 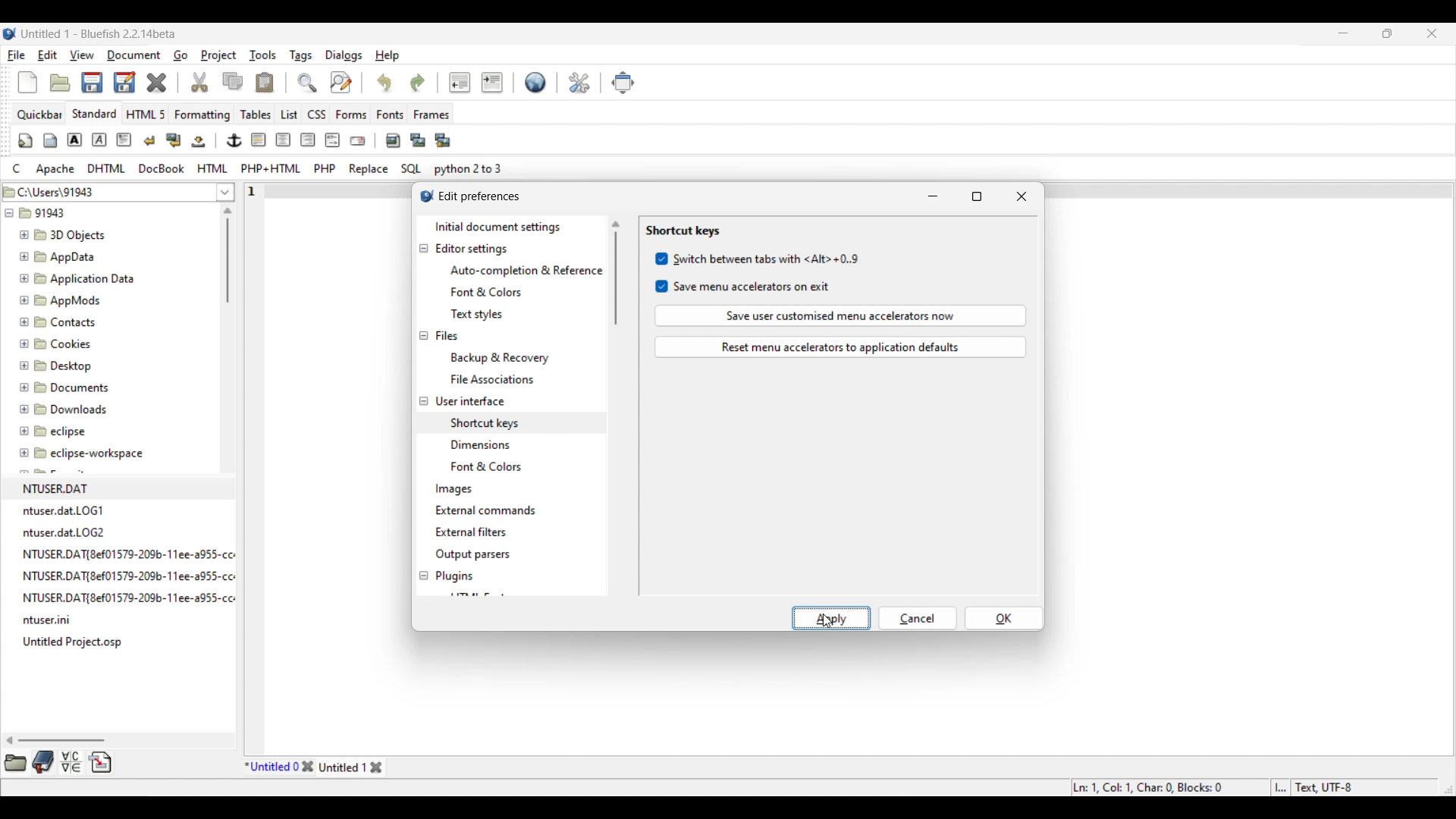 What do you see at coordinates (472, 249) in the screenshot?
I see `Editor settings` at bounding box center [472, 249].